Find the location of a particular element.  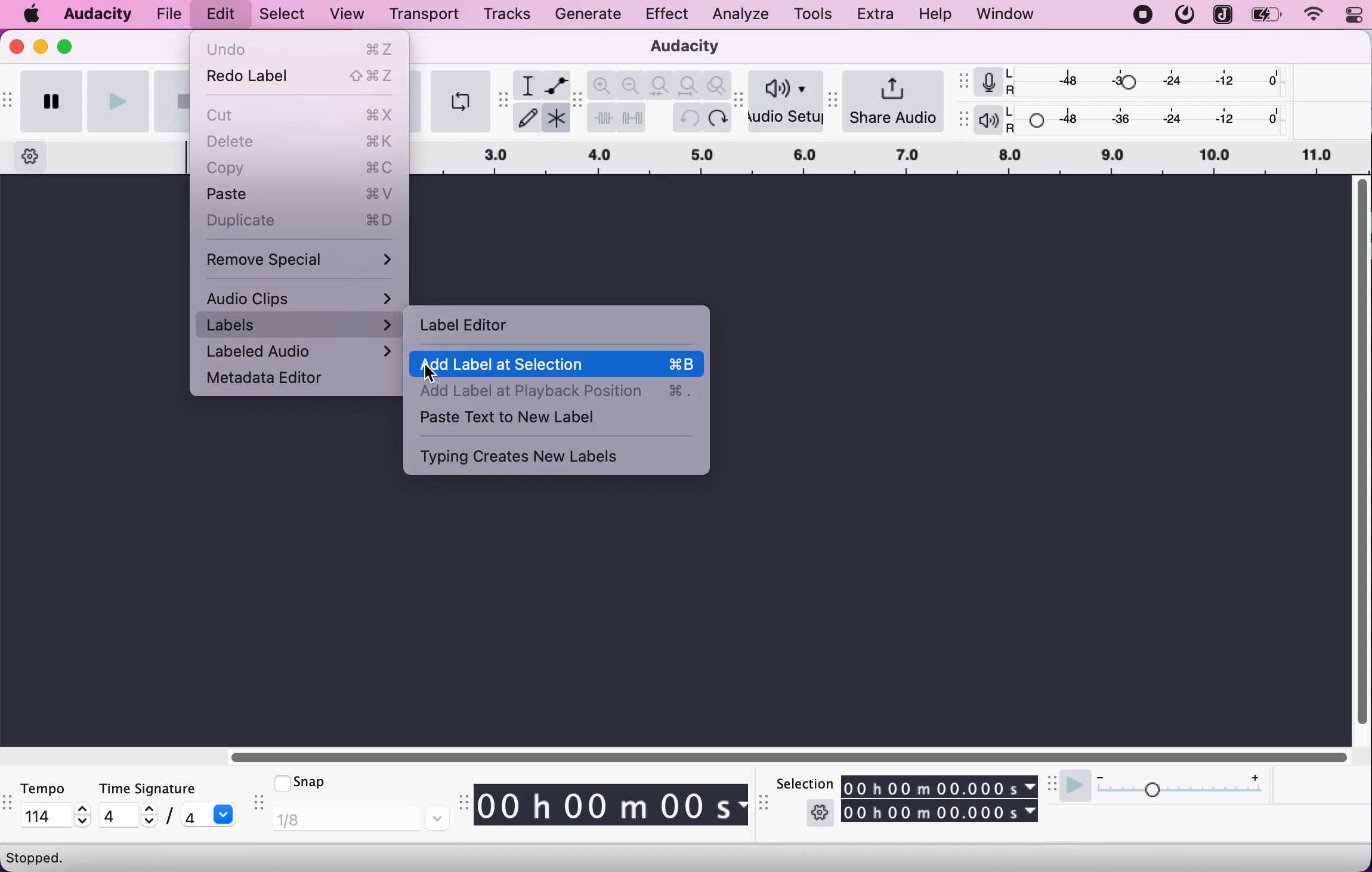

file is located at coordinates (173, 12).